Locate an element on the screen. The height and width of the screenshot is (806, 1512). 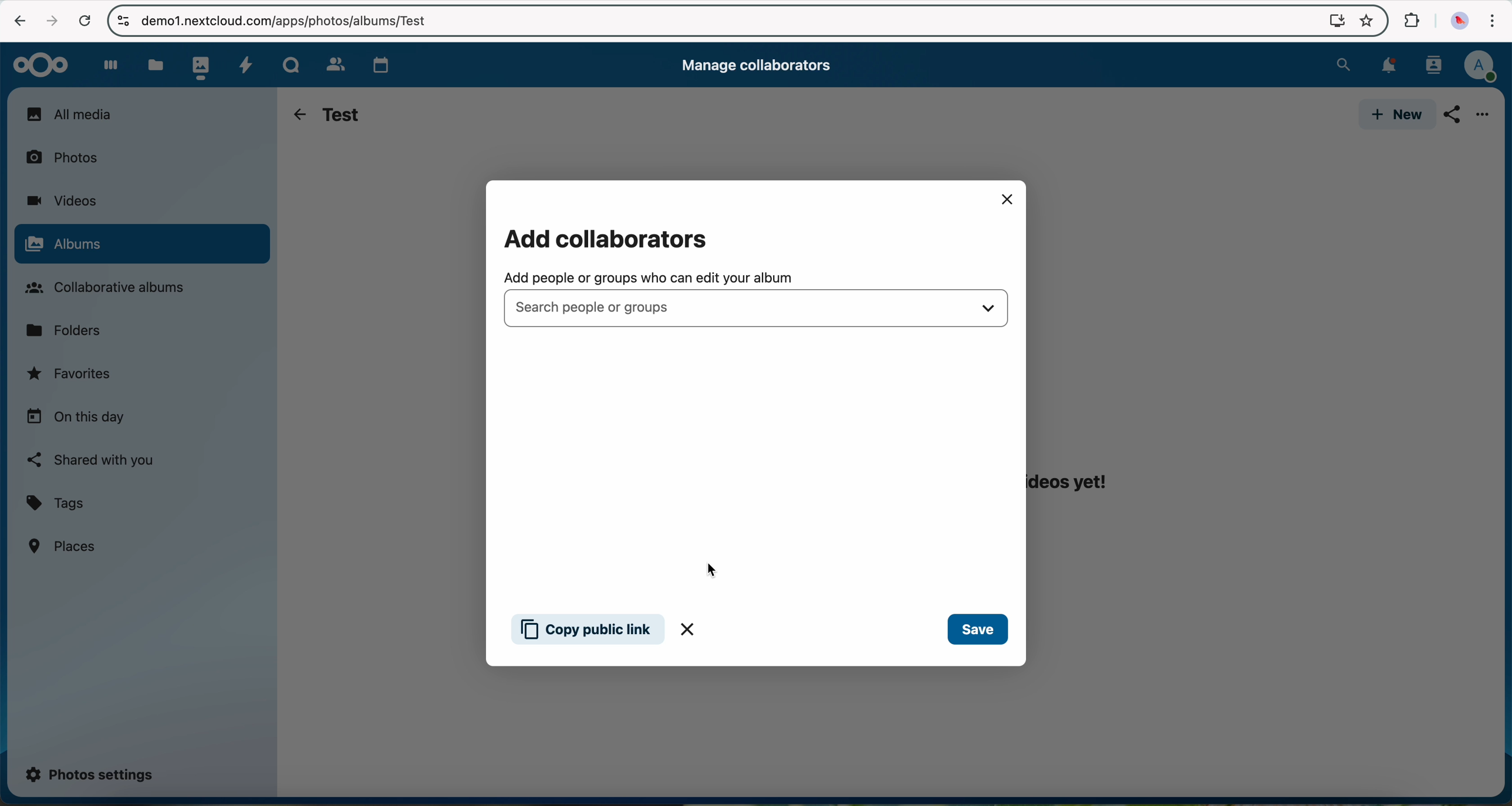
customize and control Google Chrome is located at coordinates (1491, 23).